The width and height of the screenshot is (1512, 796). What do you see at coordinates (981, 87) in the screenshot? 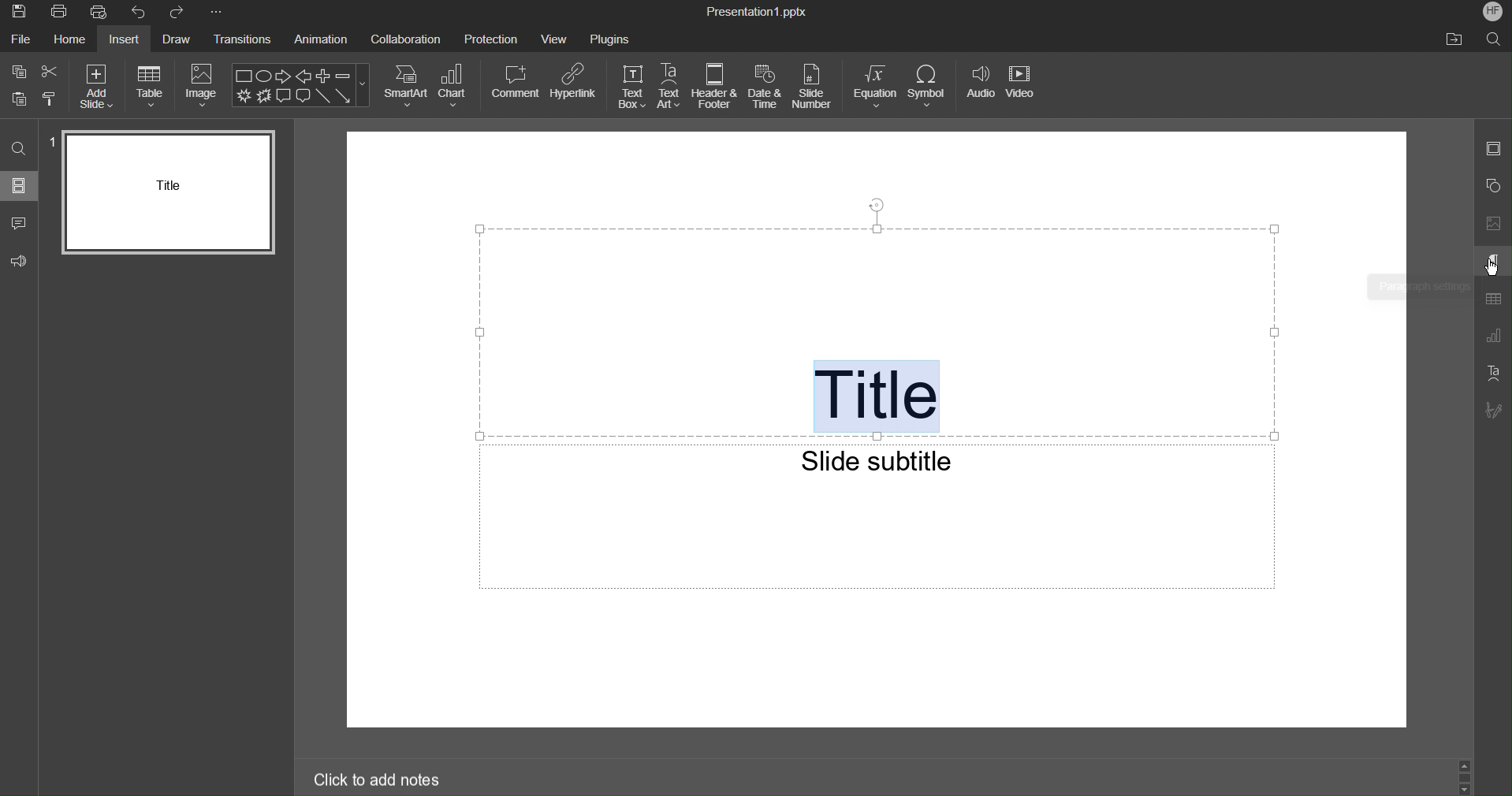
I see `Audio` at bounding box center [981, 87].